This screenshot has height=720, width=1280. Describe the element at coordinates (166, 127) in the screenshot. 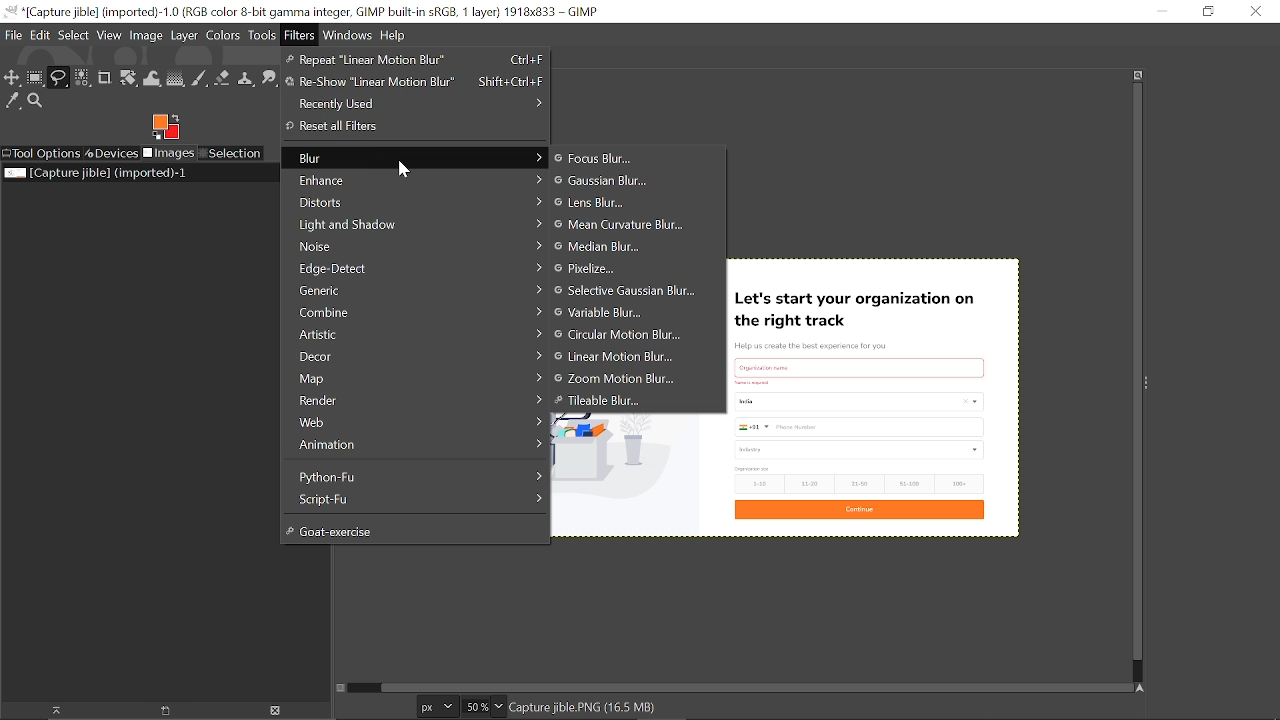

I see `Foreground color` at that location.